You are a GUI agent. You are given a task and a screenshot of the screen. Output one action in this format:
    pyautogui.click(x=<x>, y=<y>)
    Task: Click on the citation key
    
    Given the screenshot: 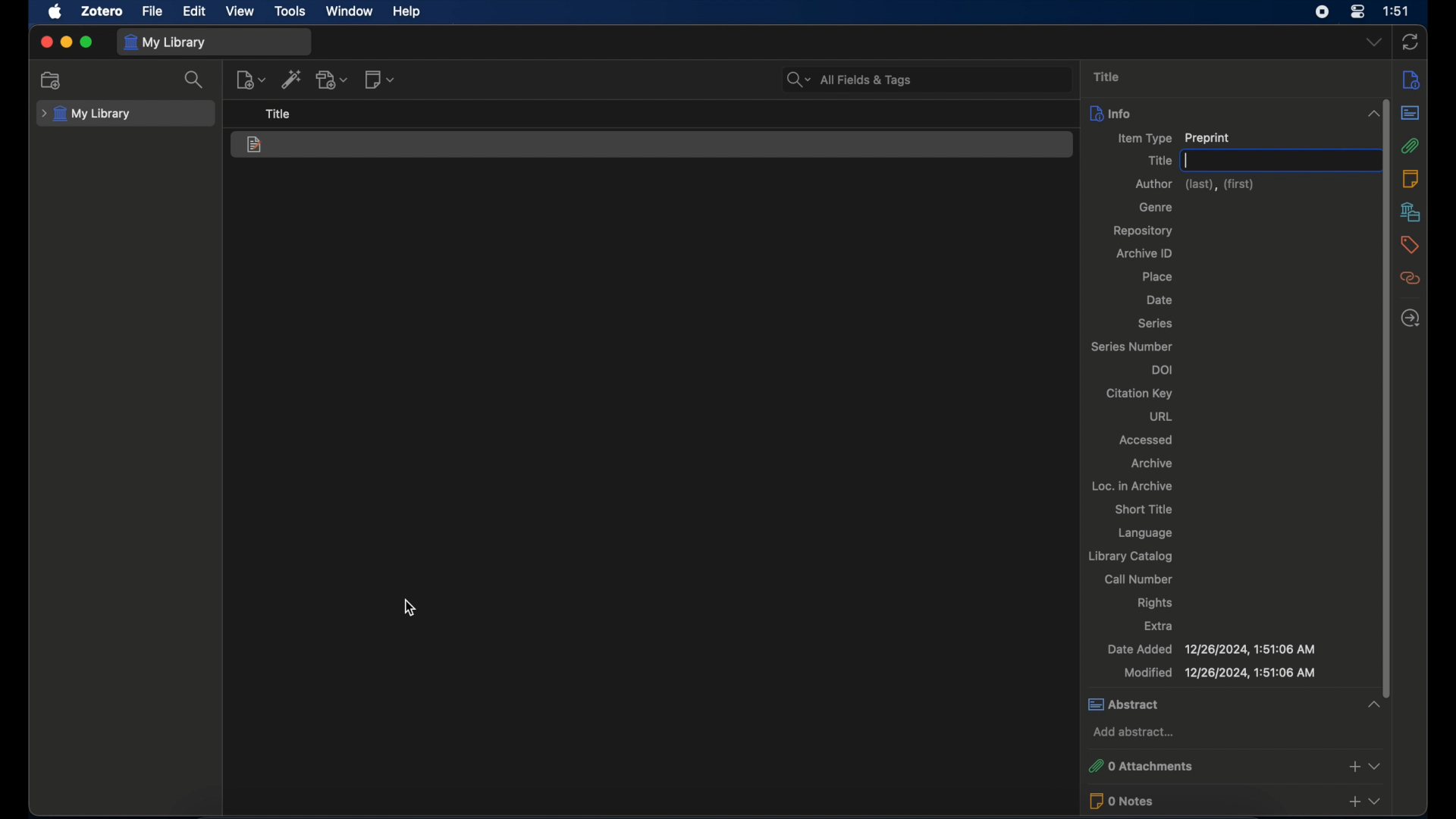 What is the action you would take?
    pyautogui.click(x=1141, y=394)
    